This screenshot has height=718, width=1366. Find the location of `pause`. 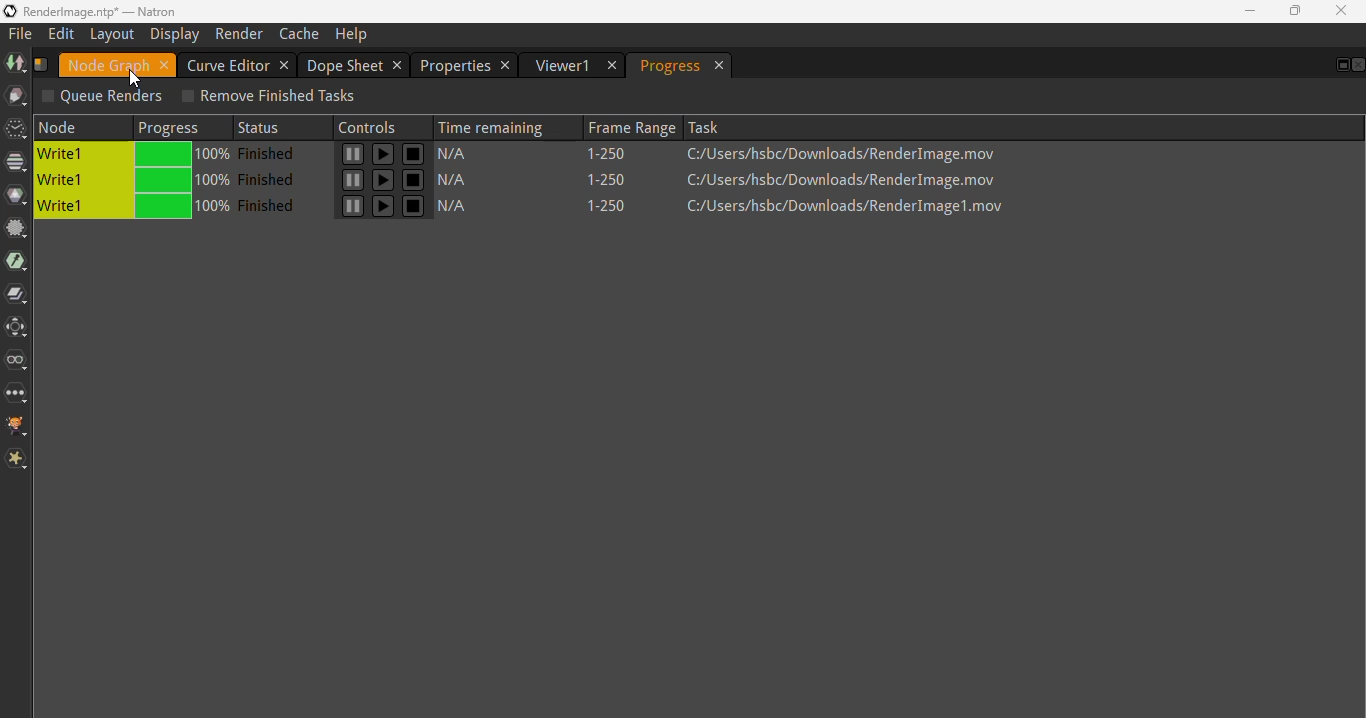

pause is located at coordinates (382, 206).